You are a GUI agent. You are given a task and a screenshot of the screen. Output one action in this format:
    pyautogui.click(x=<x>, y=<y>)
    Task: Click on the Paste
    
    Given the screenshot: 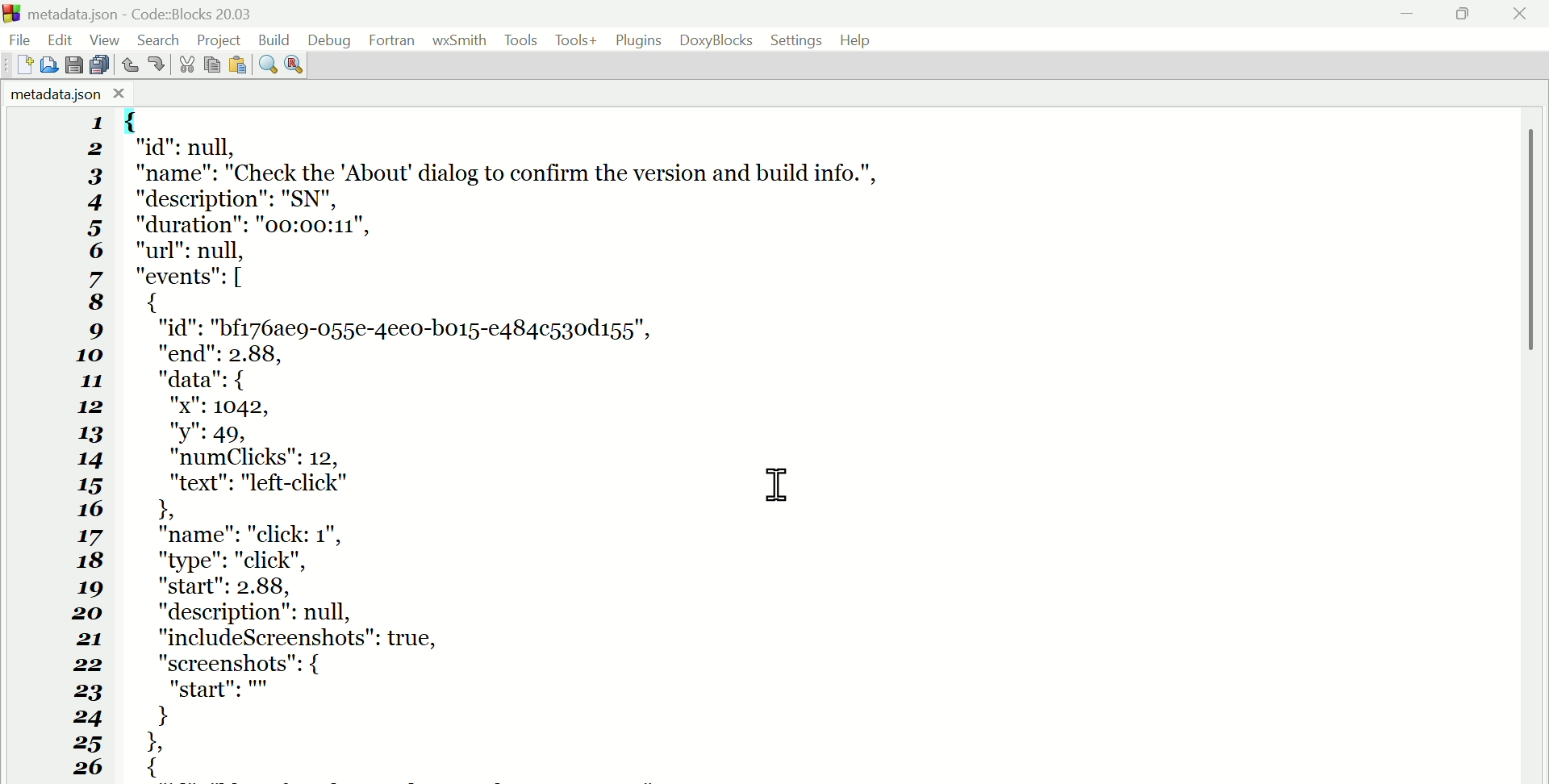 What is the action you would take?
    pyautogui.click(x=237, y=65)
    